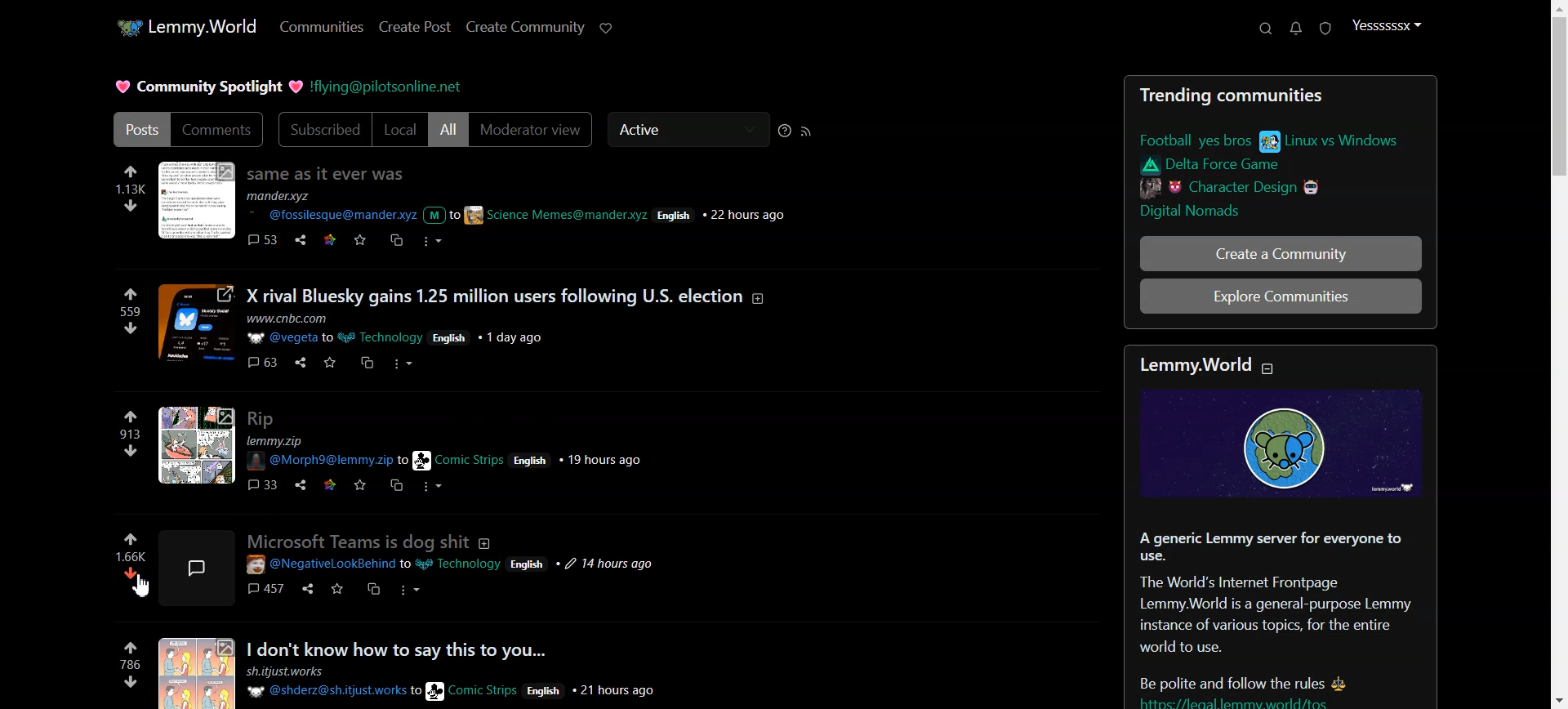  I want to click on Subscribed, so click(323, 129).